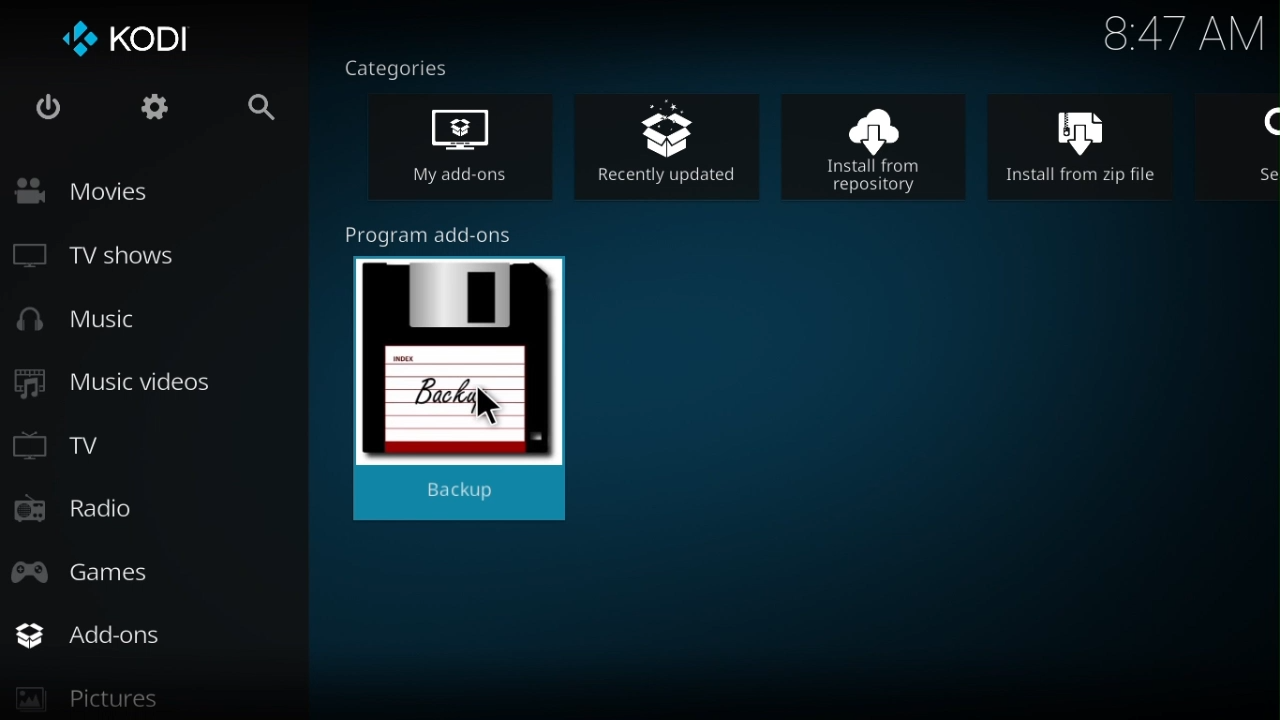 This screenshot has height=720, width=1280. I want to click on Cursor, so click(488, 408).